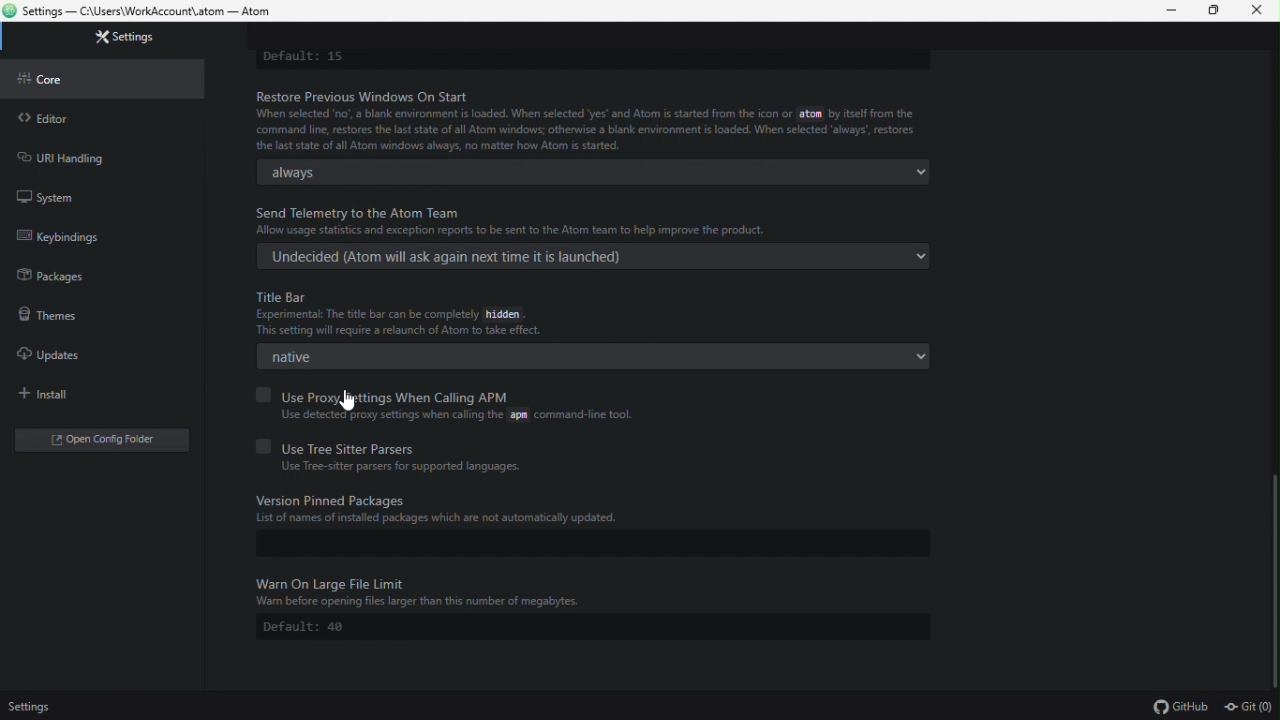 The width and height of the screenshot is (1280, 720). Describe the element at coordinates (96, 155) in the screenshot. I see `URL handling` at that location.